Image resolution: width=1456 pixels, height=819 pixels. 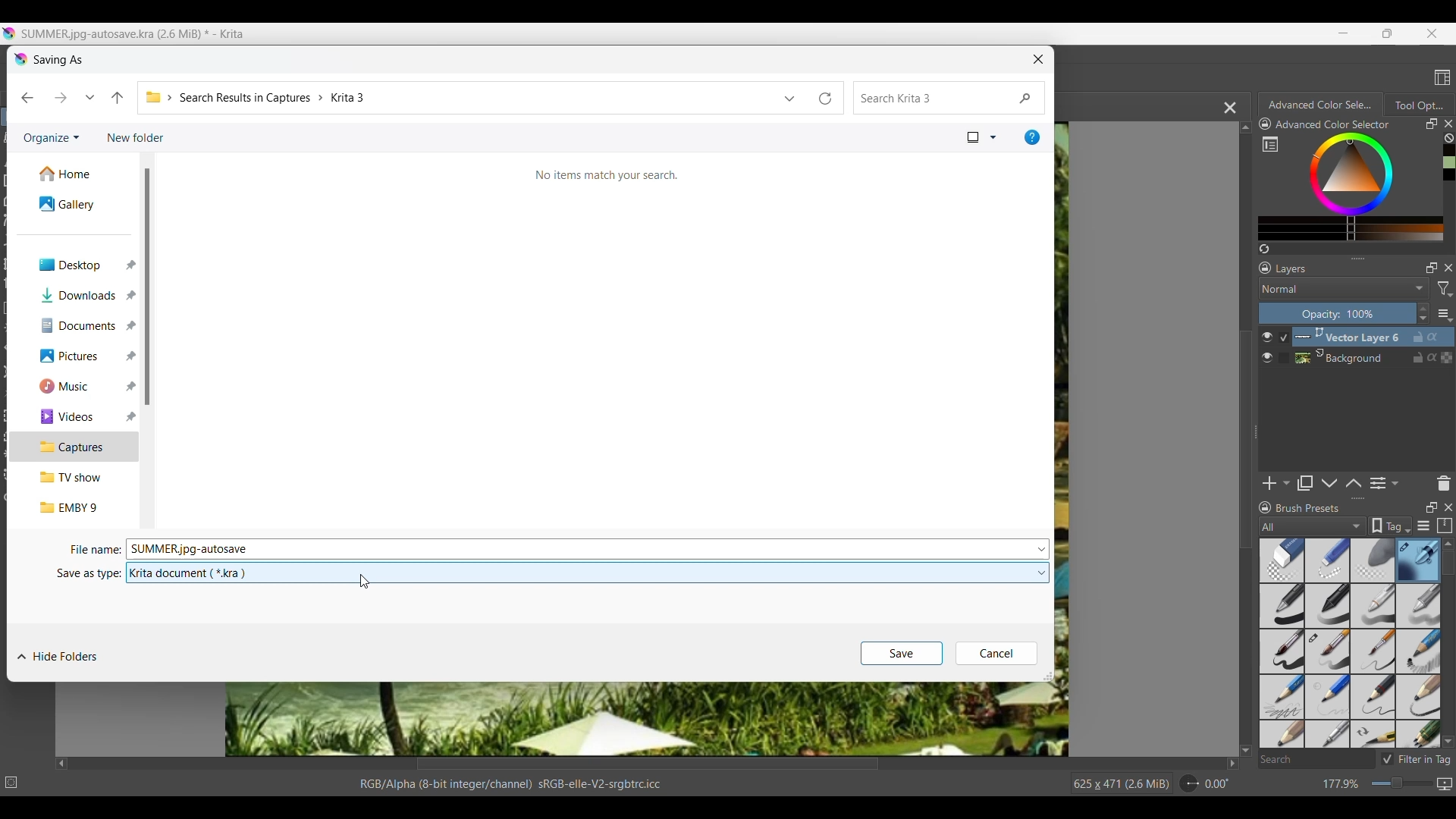 I want to click on Quick slide to bottom, so click(x=1246, y=751).